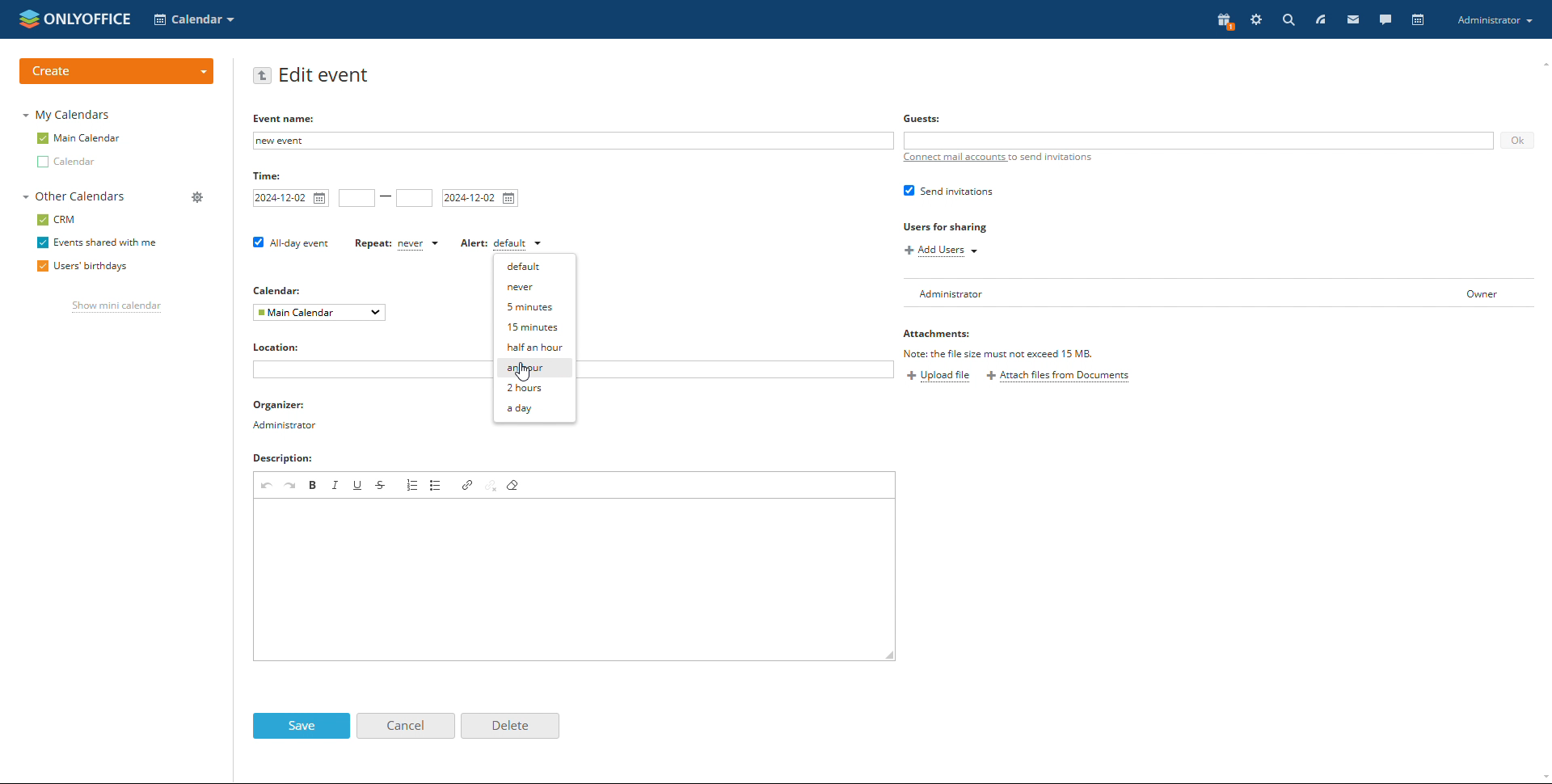 Image resolution: width=1552 pixels, height=784 pixels. What do you see at coordinates (526, 373) in the screenshot?
I see `cursor` at bounding box center [526, 373].